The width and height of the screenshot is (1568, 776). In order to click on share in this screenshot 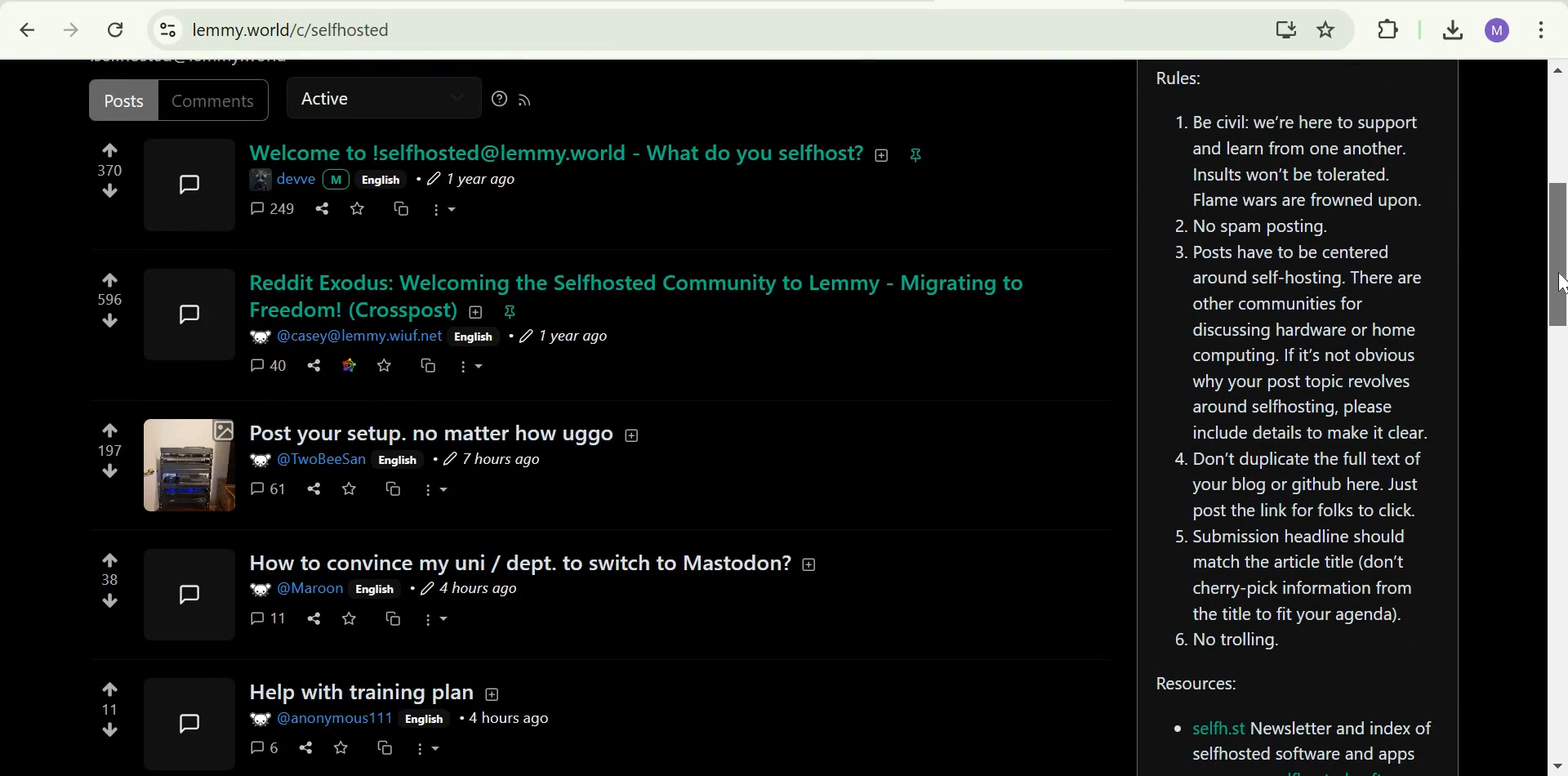, I will do `click(316, 364)`.